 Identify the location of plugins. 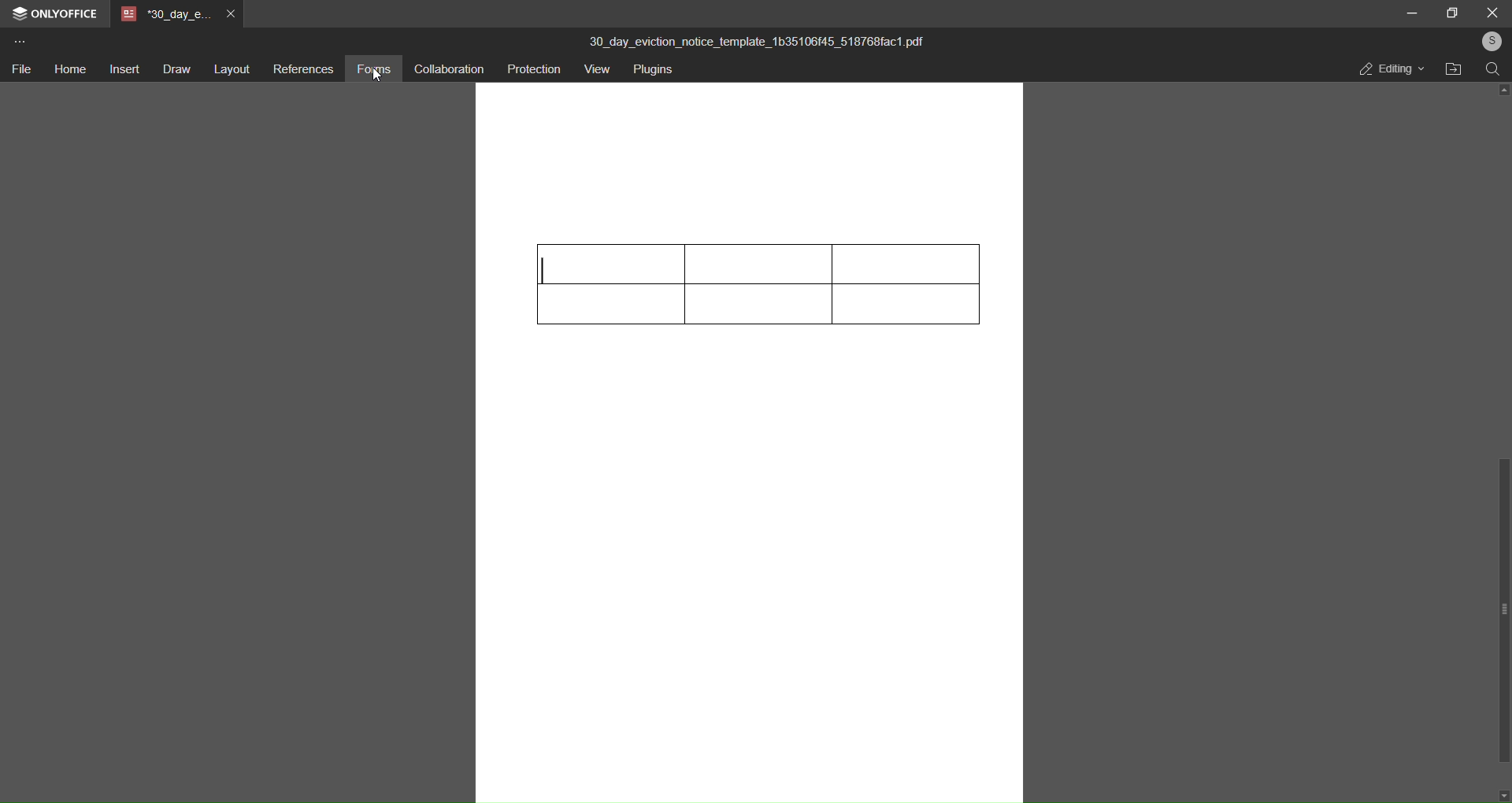
(656, 70).